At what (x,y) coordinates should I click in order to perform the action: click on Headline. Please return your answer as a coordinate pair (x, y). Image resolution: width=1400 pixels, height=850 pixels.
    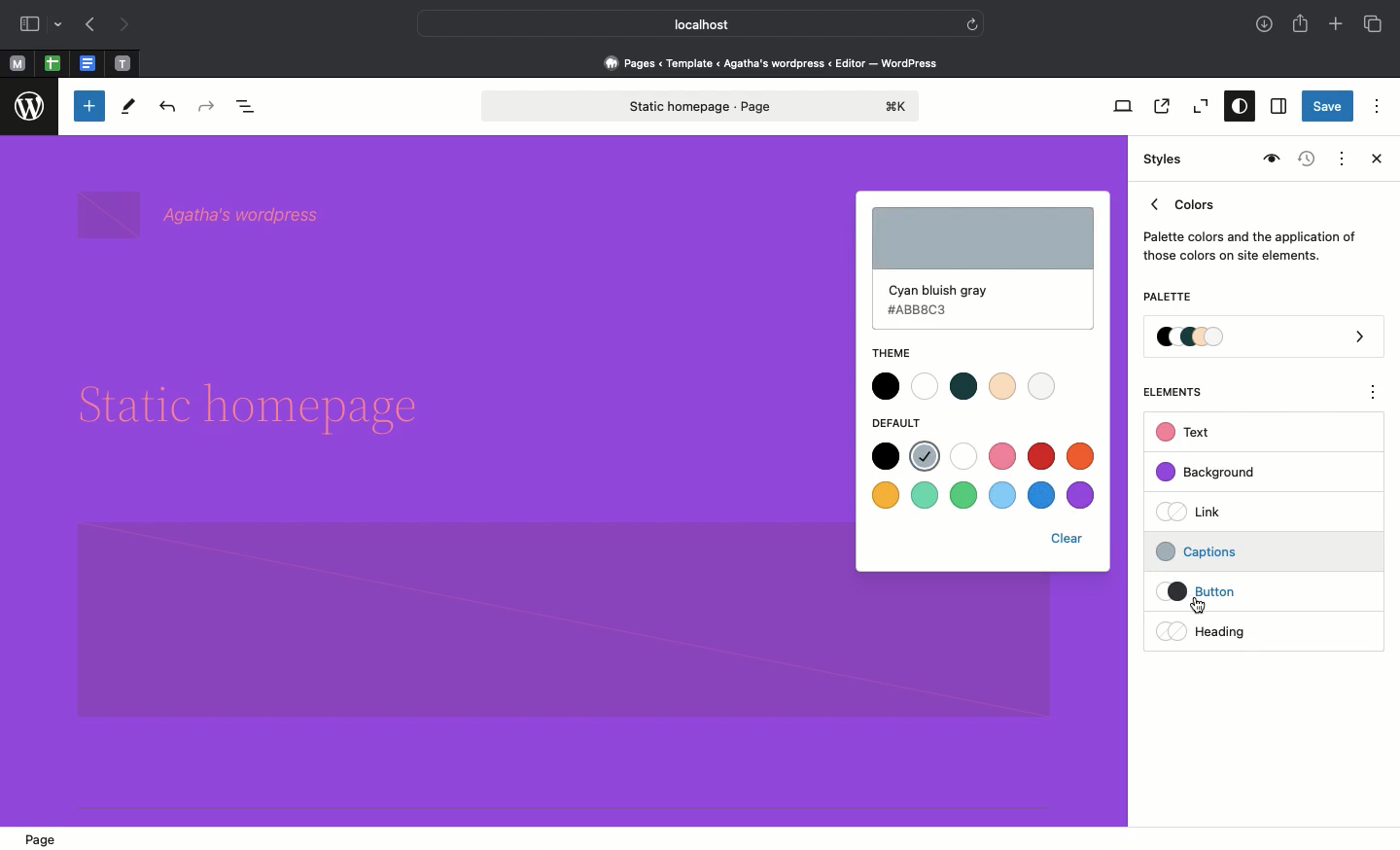
    Looking at the image, I should click on (264, 408).